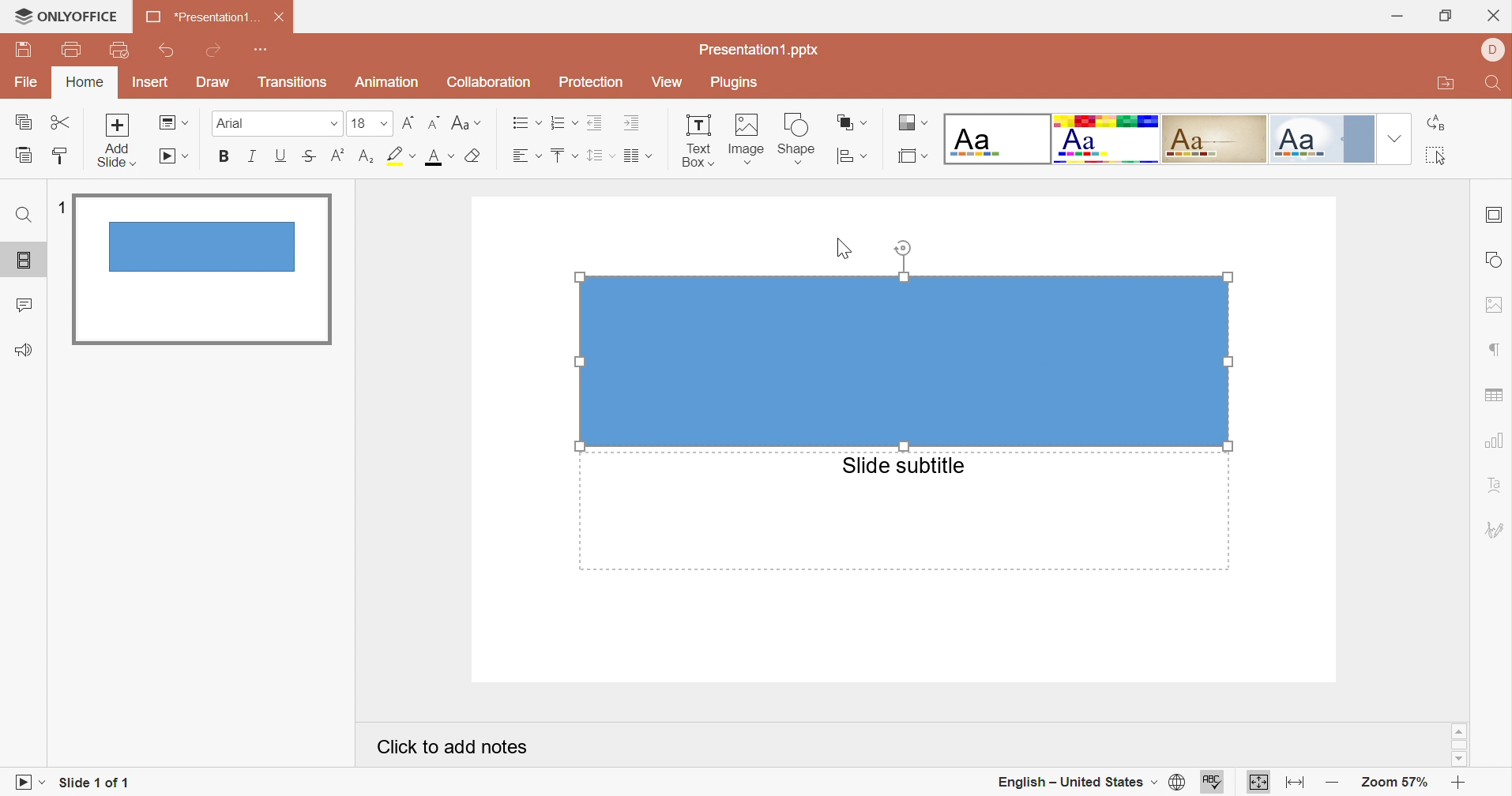 The height and width of the screenshot is (796, 1512). I want to click on Find, so click(1494, 84).